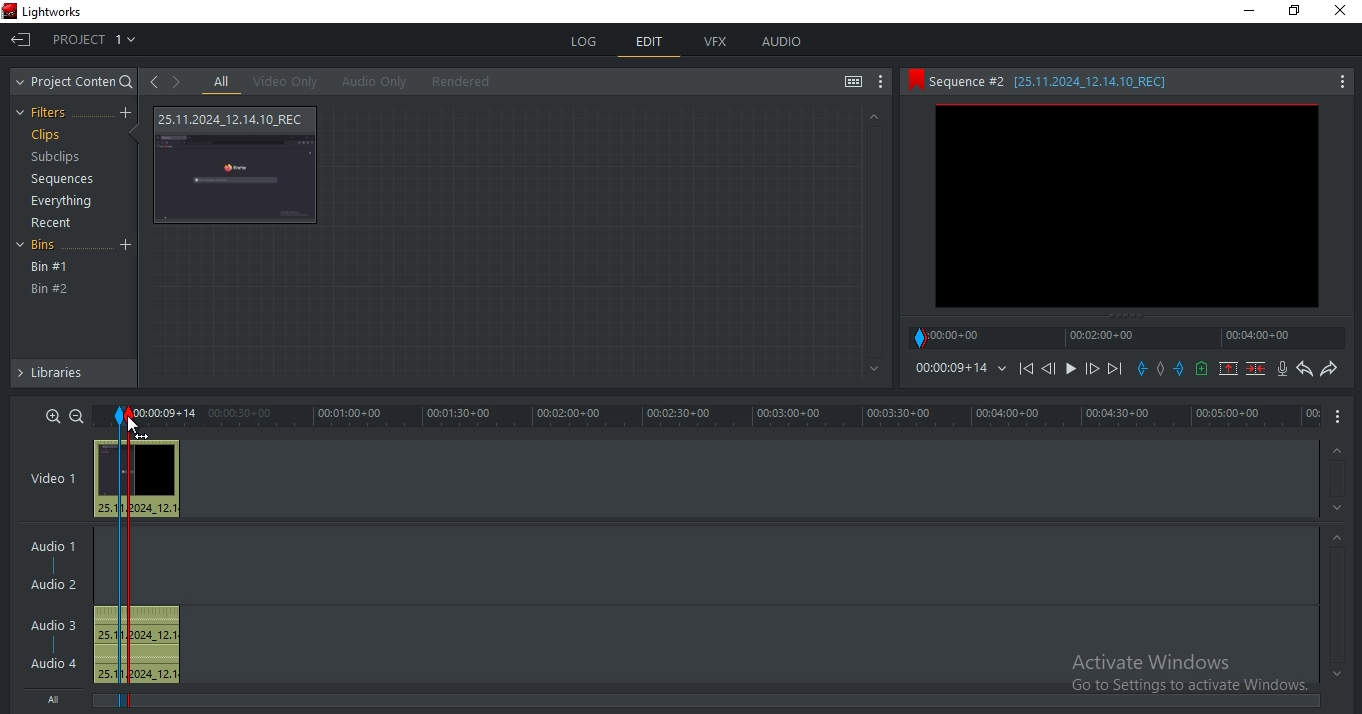  What do you see at coordinates (153, 81) in the screenshot?
I see `go to previous viewed clip` at bounding box center [153, 81].